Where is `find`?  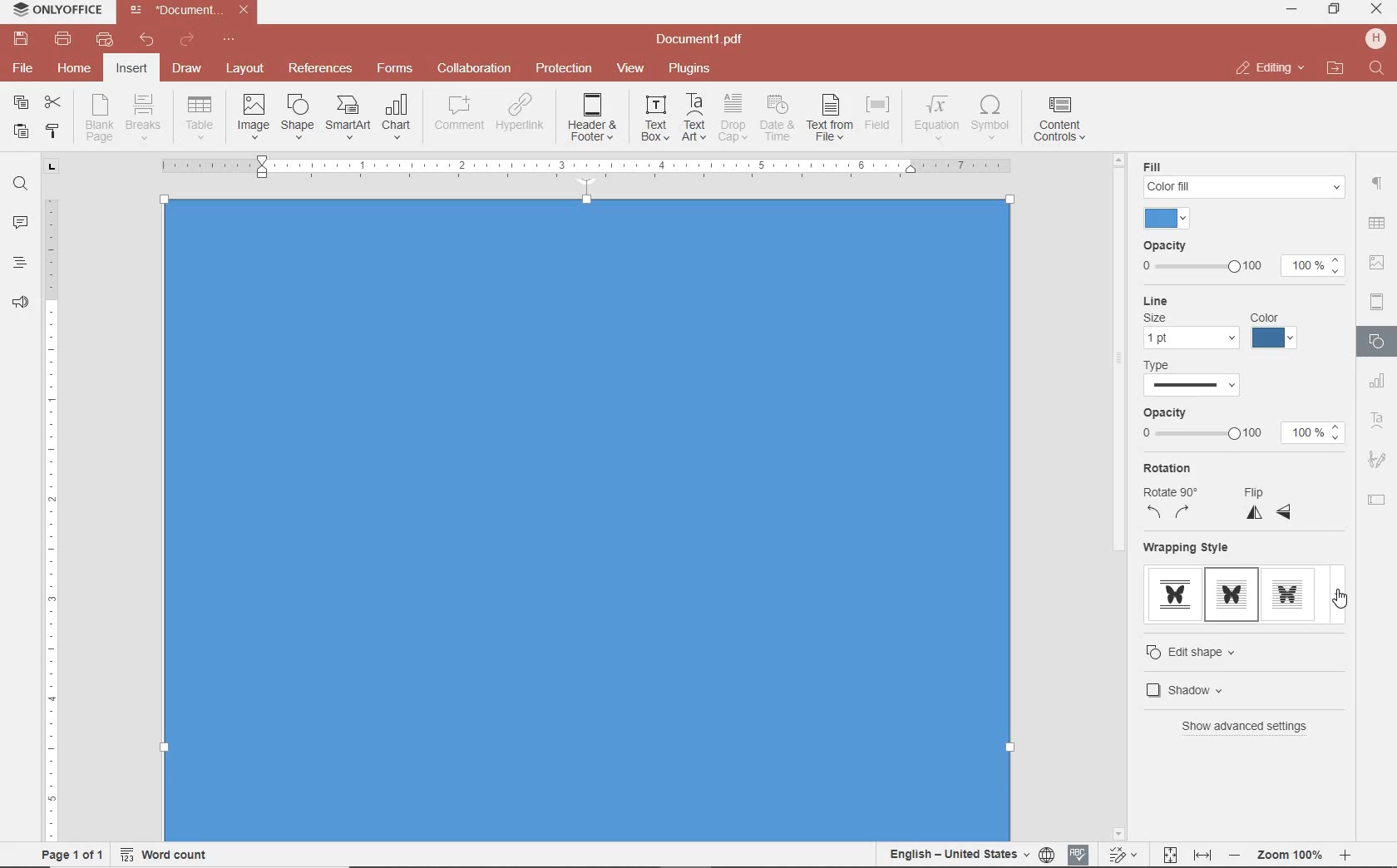
find is located at coordinates (20, 182).